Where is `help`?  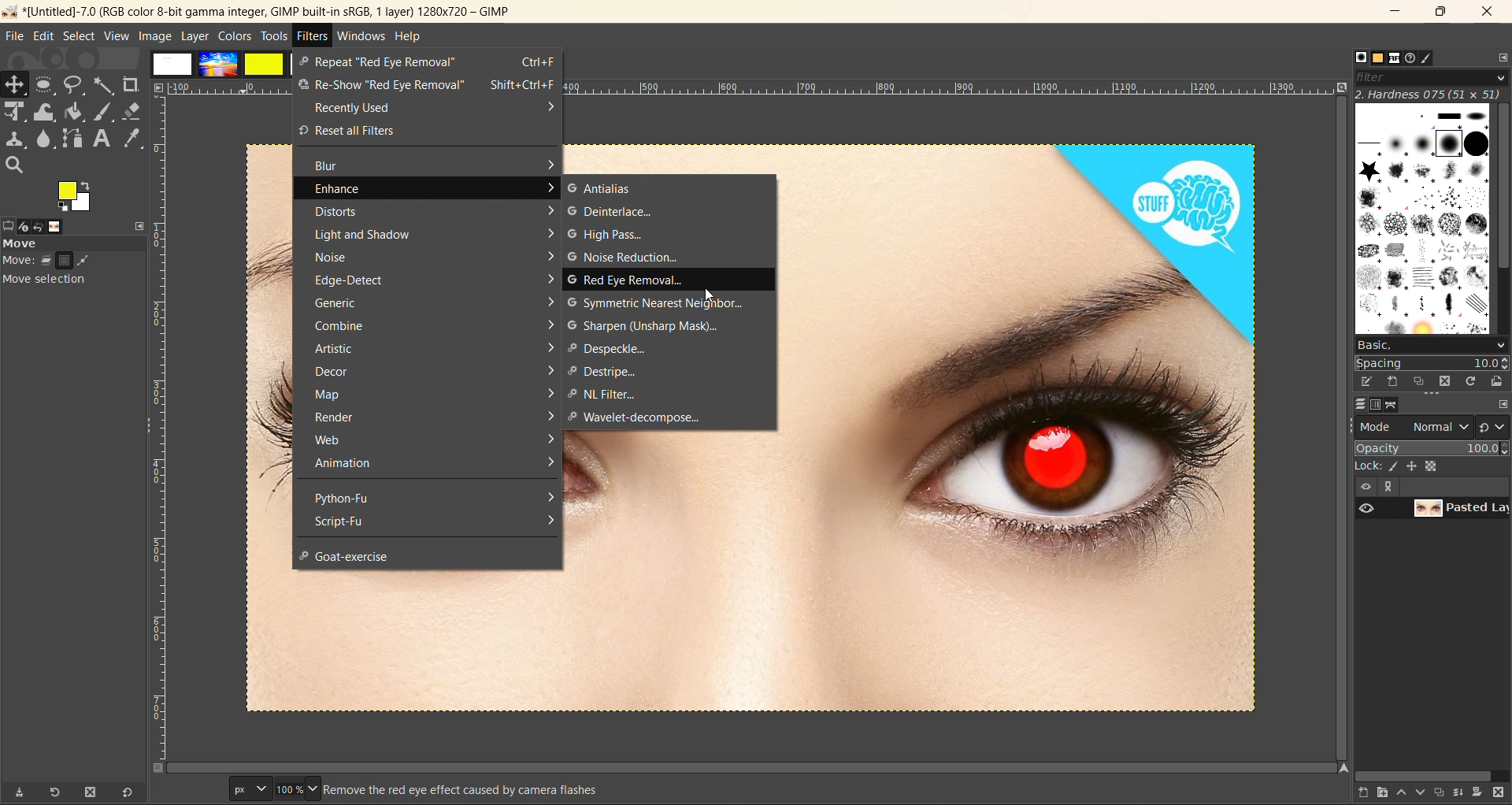 help is located at coordinates (409, 36).